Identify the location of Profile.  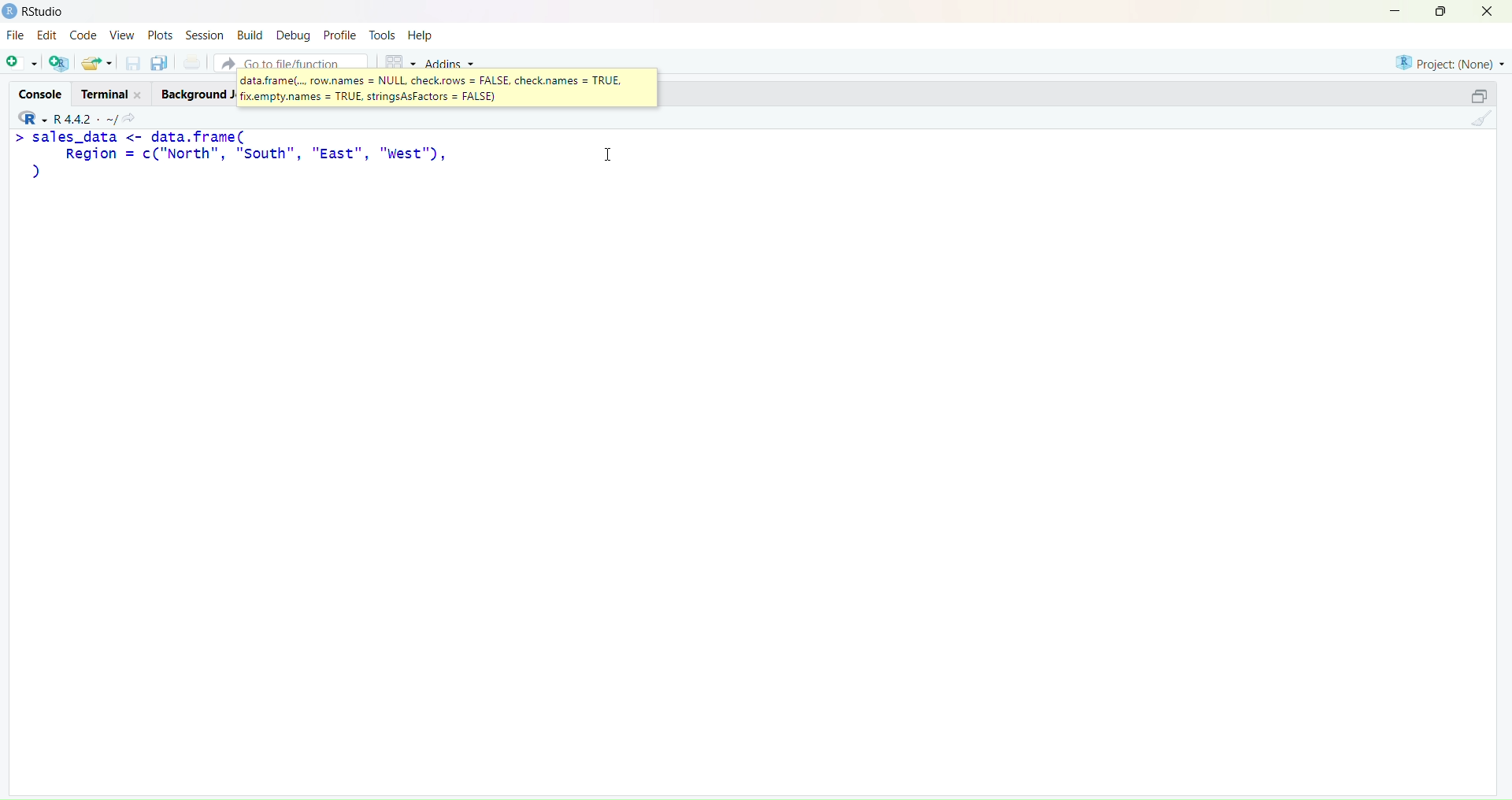
(340, 36).